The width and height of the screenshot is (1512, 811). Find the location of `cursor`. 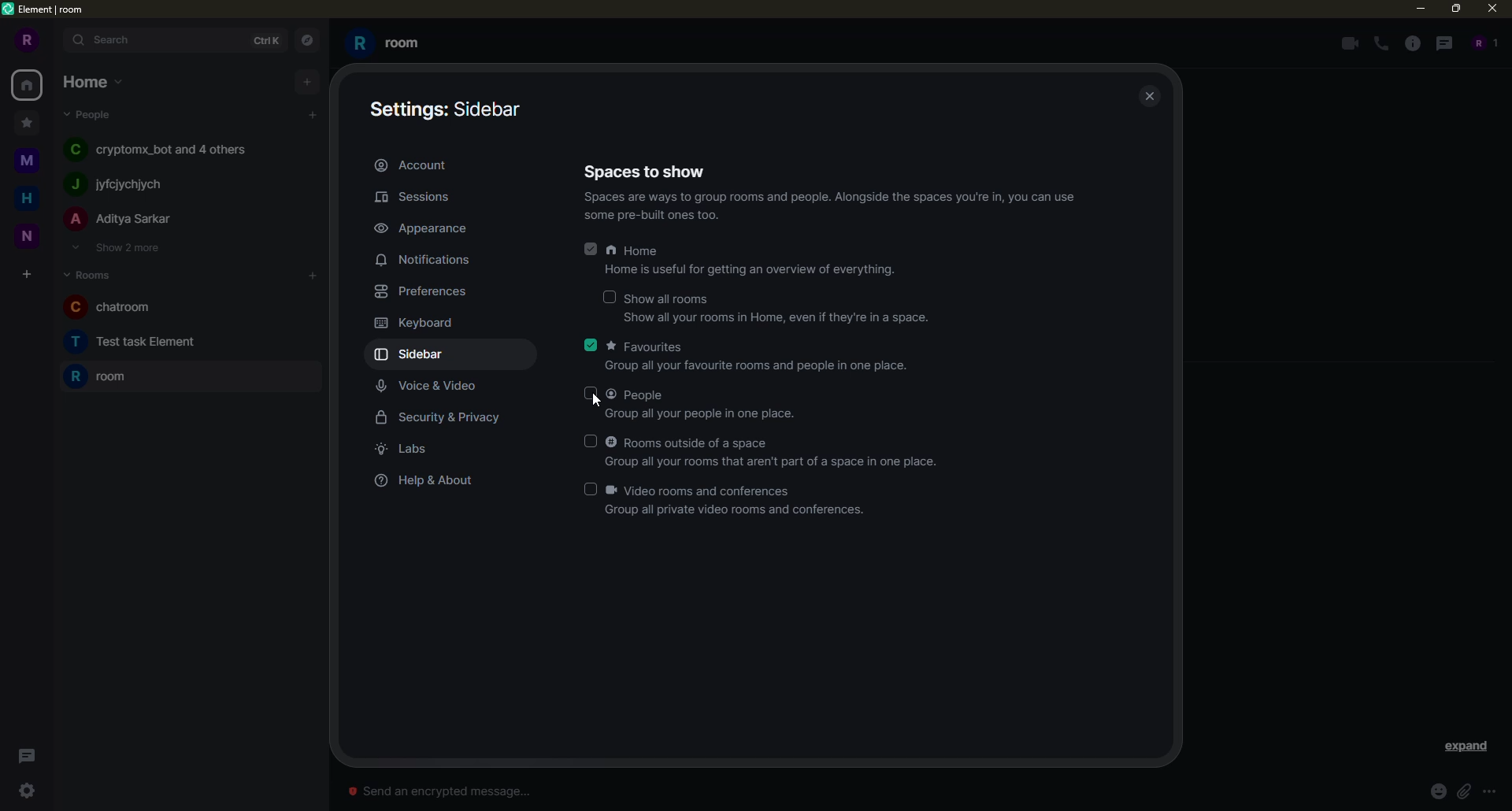

cursor is located at coordinates (593, 406).